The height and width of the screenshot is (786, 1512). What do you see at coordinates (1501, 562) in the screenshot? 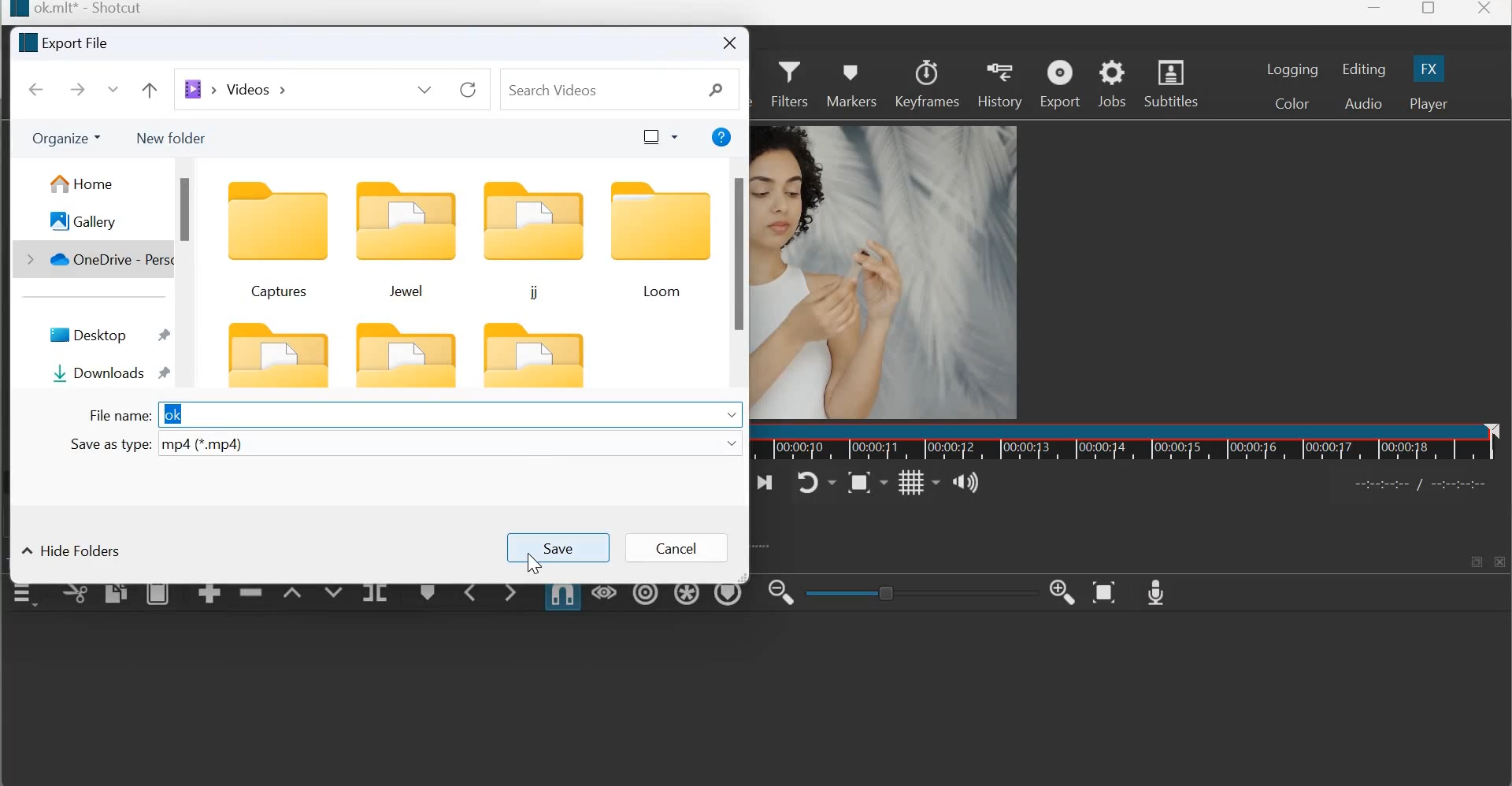
I see `close` at bounding box center [1501, 562].